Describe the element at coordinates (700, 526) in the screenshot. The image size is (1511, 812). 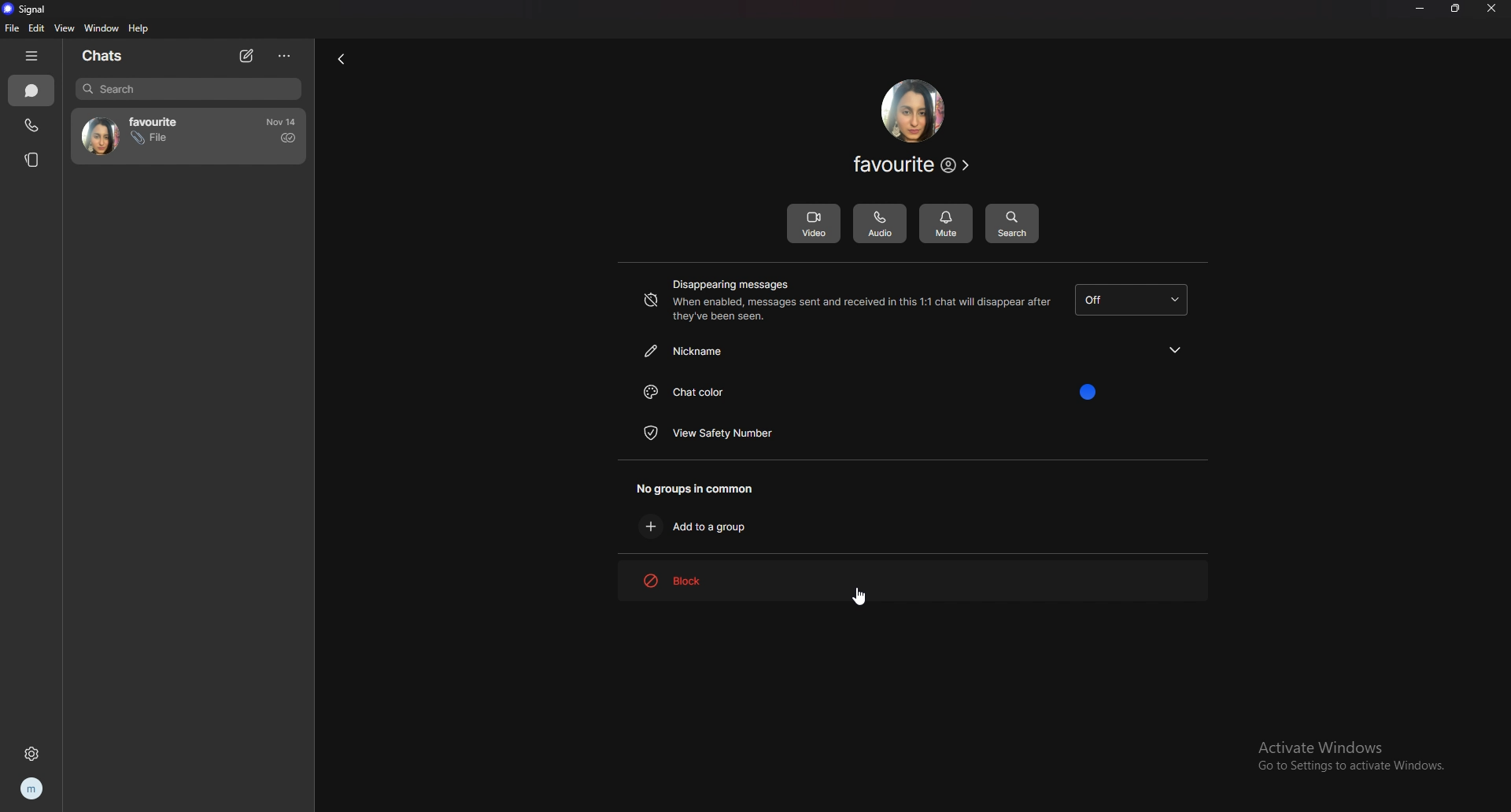
I see `add to group` at that location.